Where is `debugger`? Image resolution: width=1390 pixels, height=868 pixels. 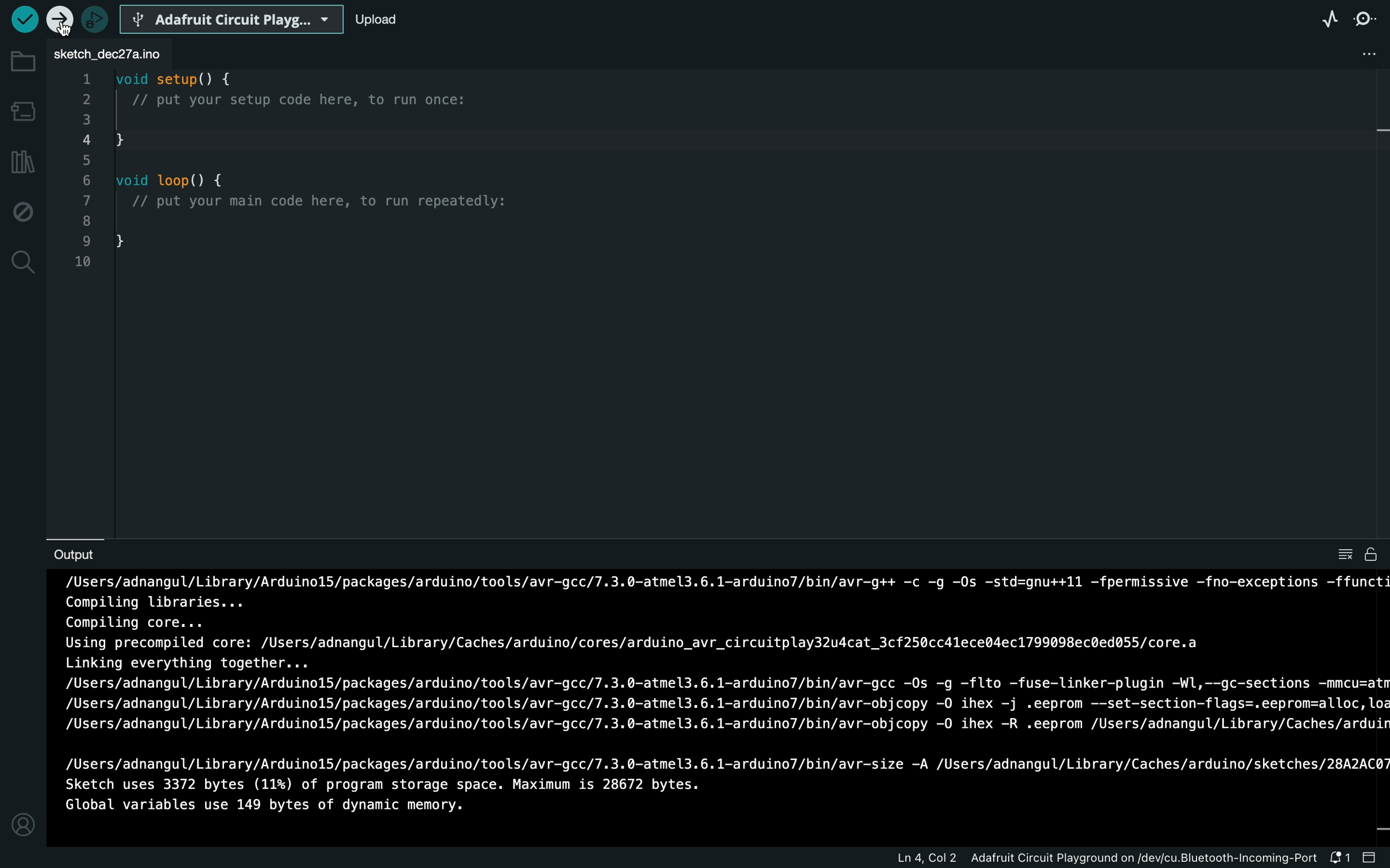 debugger is located at coordinates (96, 17).